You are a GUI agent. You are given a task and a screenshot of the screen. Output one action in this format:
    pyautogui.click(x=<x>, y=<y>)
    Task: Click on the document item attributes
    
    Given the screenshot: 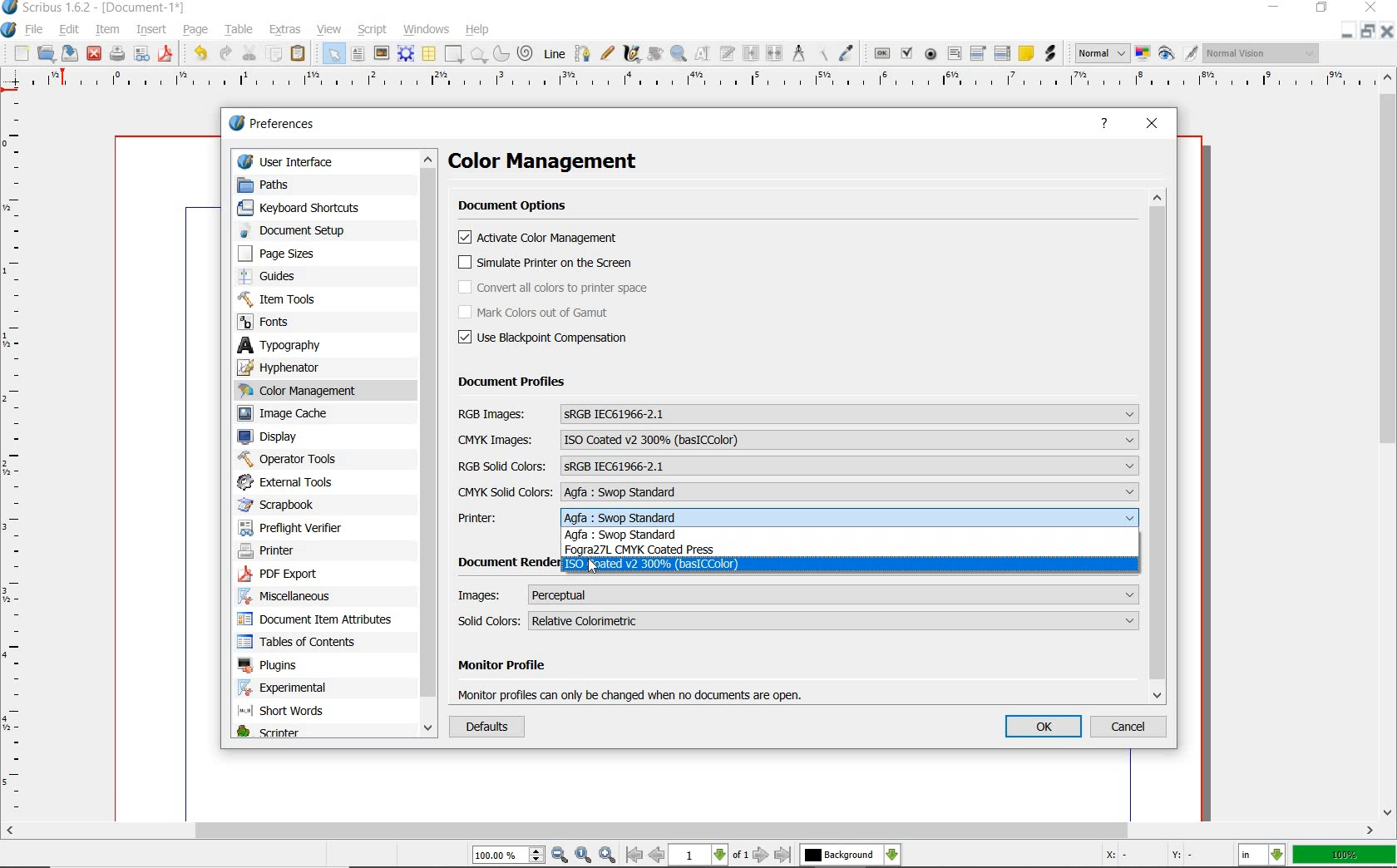 What is the action you would take?
    pyautogui.click(x=318, y=620)
    